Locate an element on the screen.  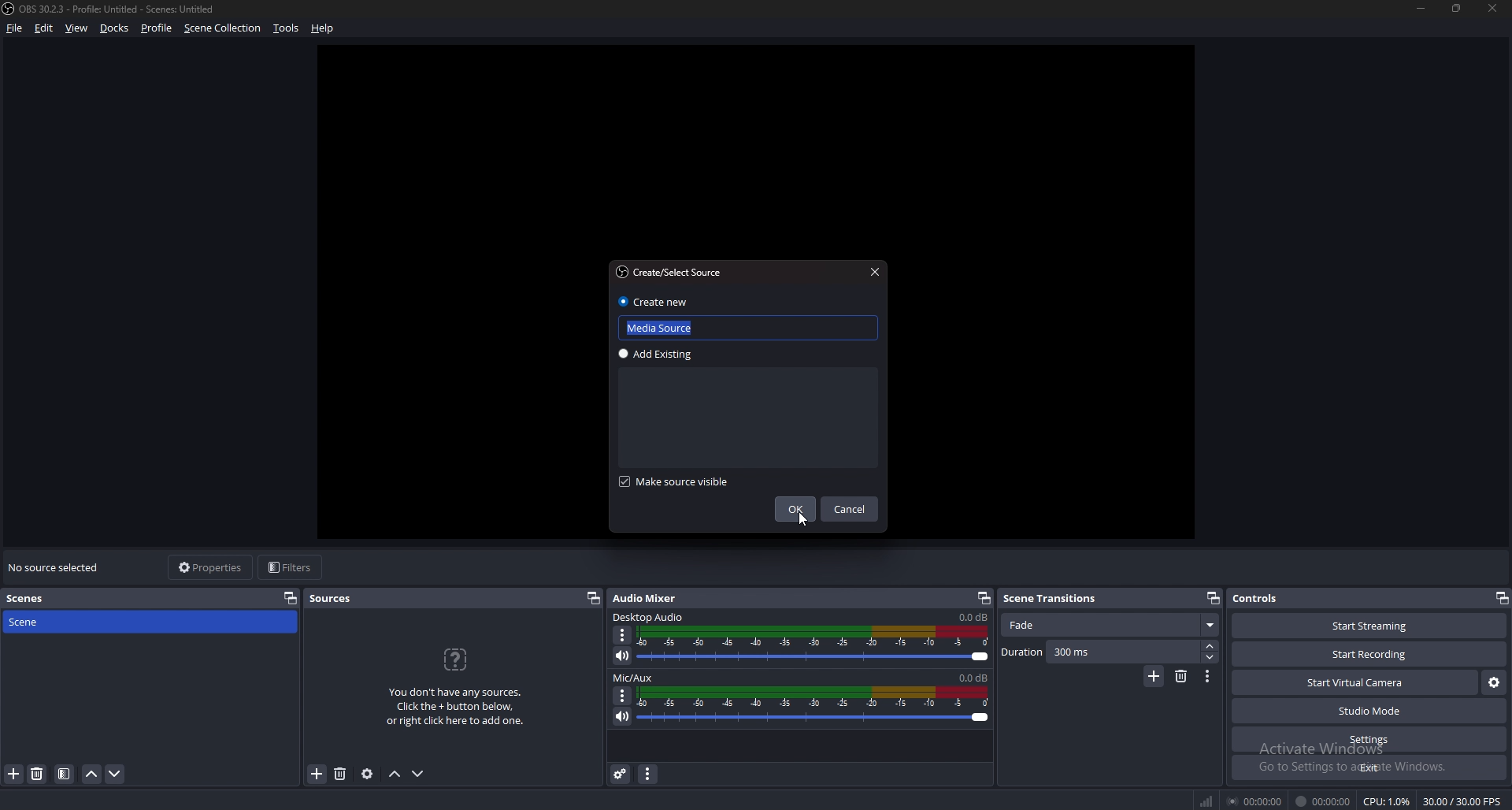
Create new is located at coordinates (655, 302).